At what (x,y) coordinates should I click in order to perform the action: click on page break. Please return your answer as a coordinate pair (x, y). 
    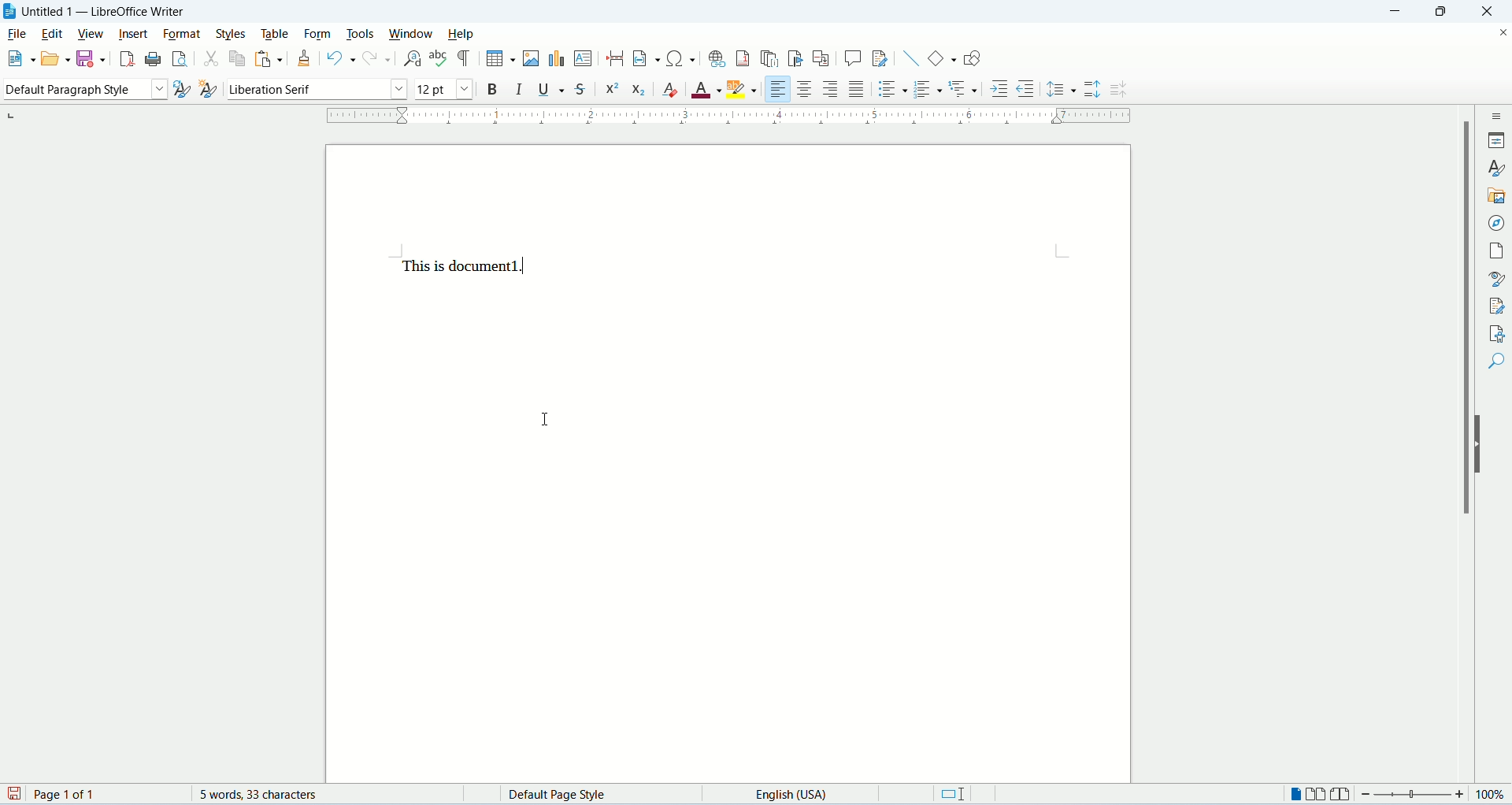
    Looking at the image, I should click on (615, 57).